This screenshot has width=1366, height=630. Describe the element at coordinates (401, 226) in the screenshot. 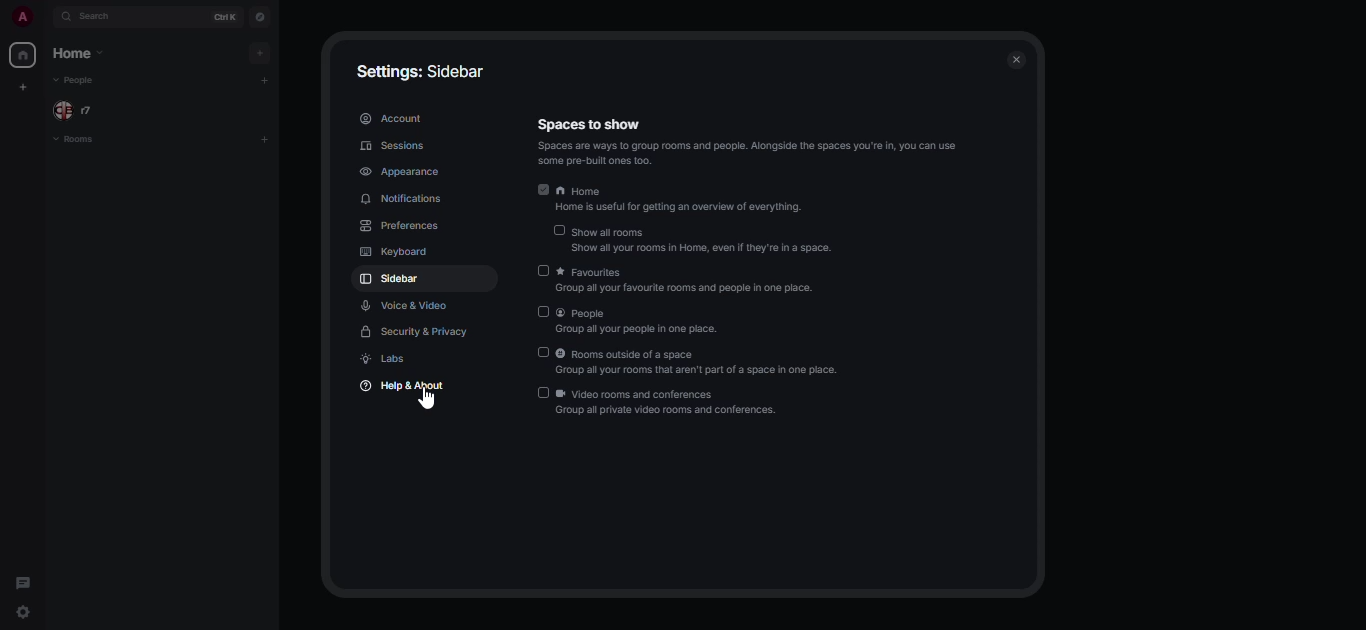

I see `preferences` at that location.